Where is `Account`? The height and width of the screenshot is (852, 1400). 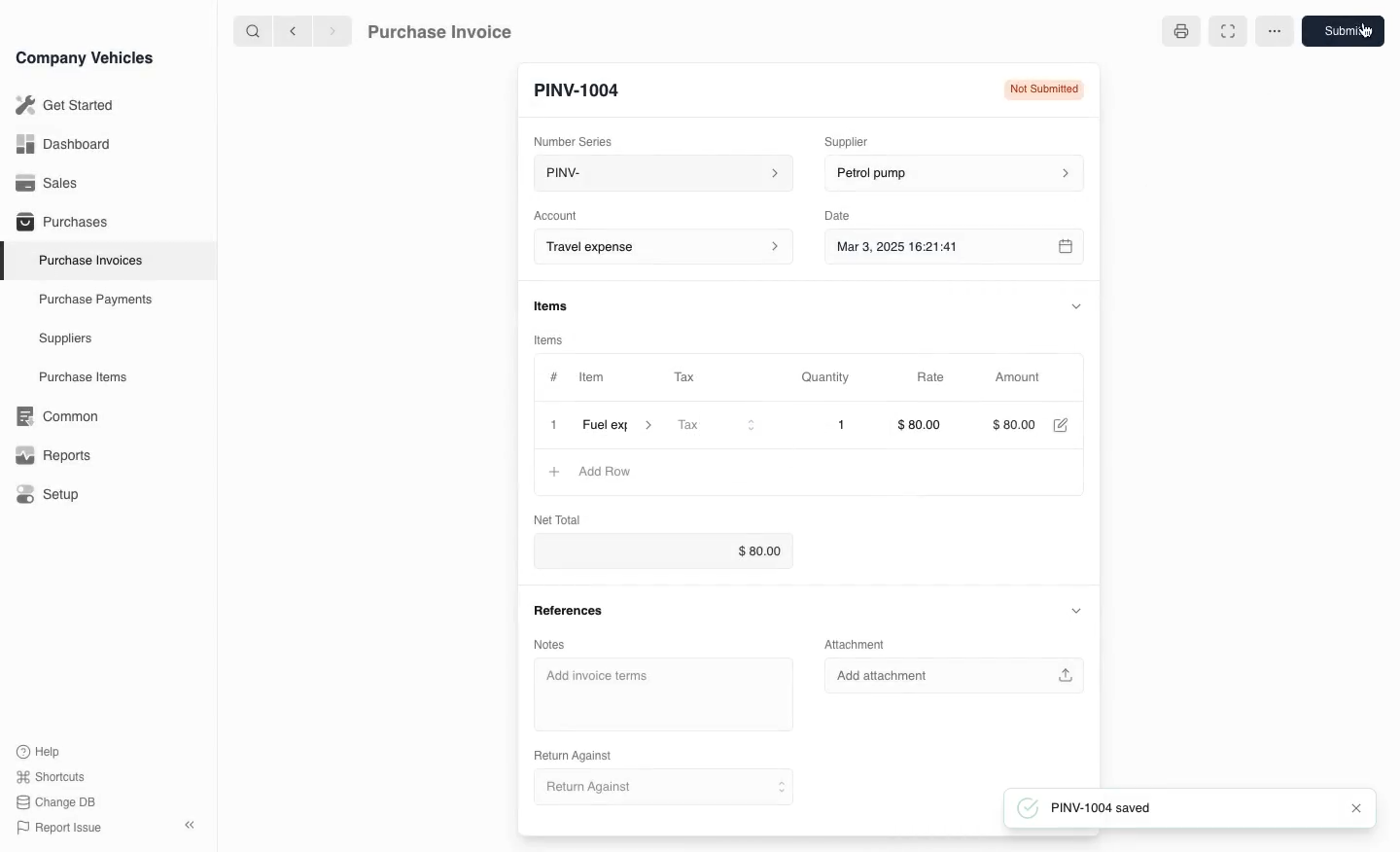 Account is located at coordinates (660, 247).